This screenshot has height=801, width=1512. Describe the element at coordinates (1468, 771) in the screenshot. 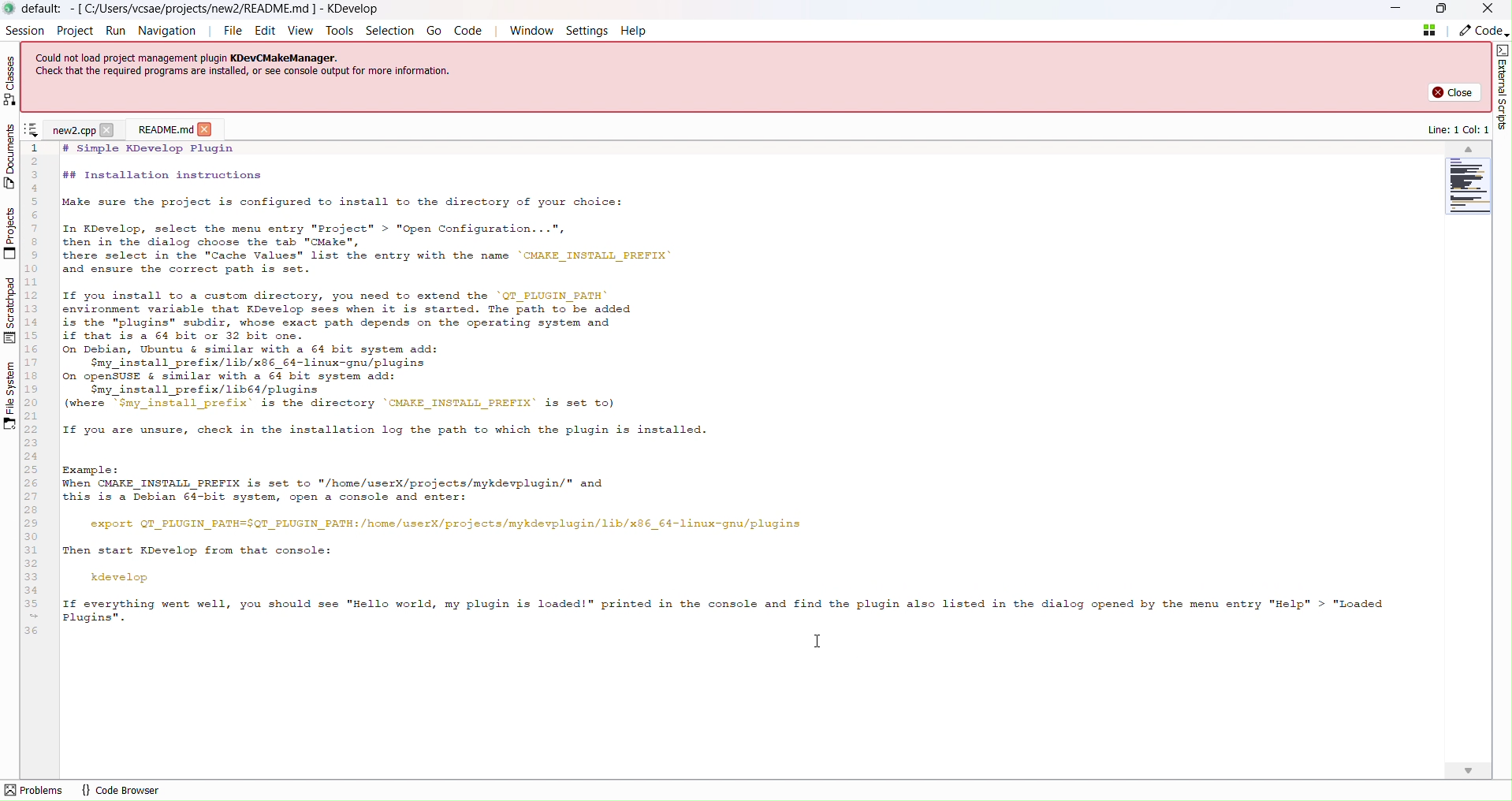

I see `scroll down` at that location.